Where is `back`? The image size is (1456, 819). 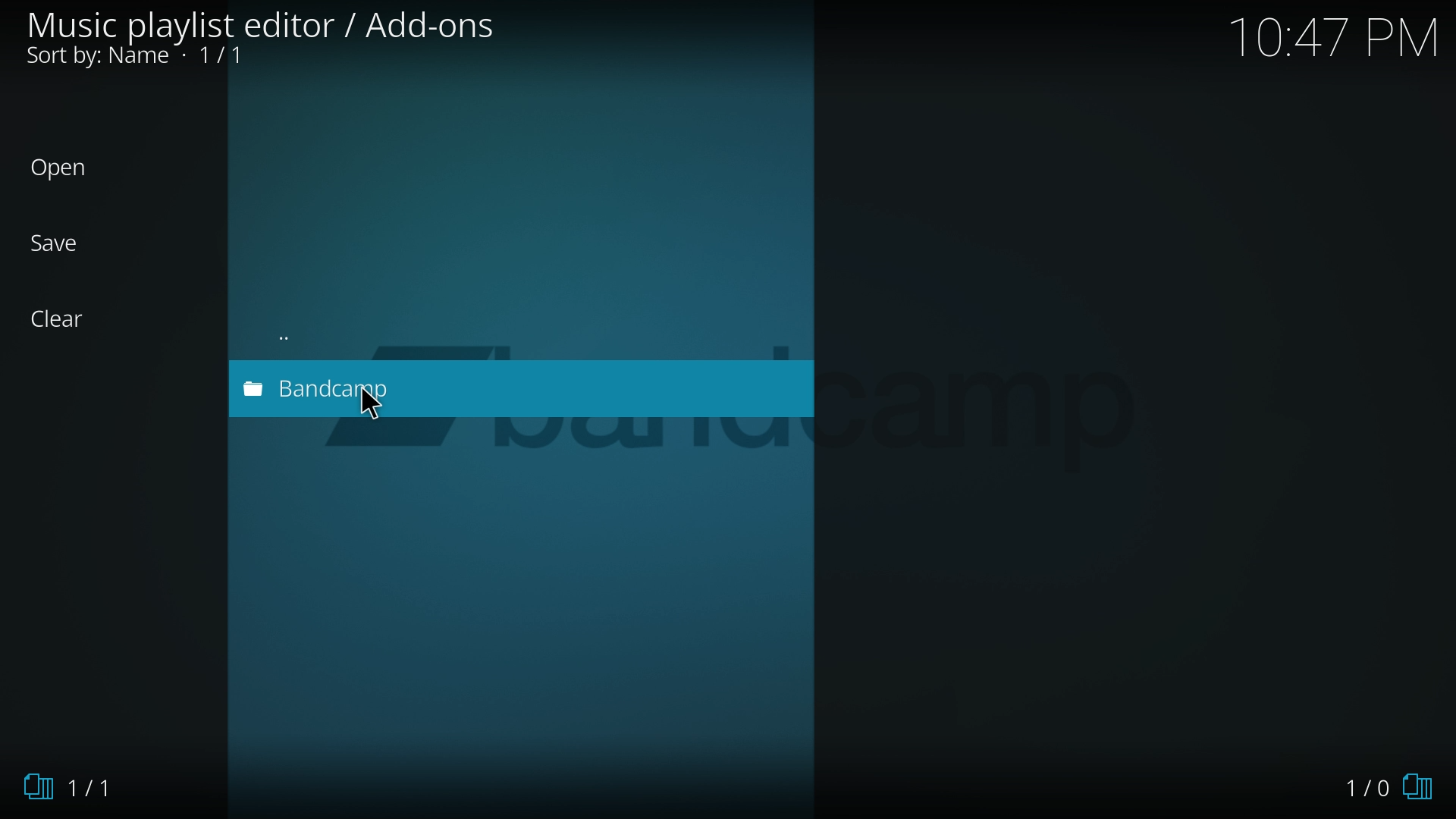 back is located at coordinates (342, 331).